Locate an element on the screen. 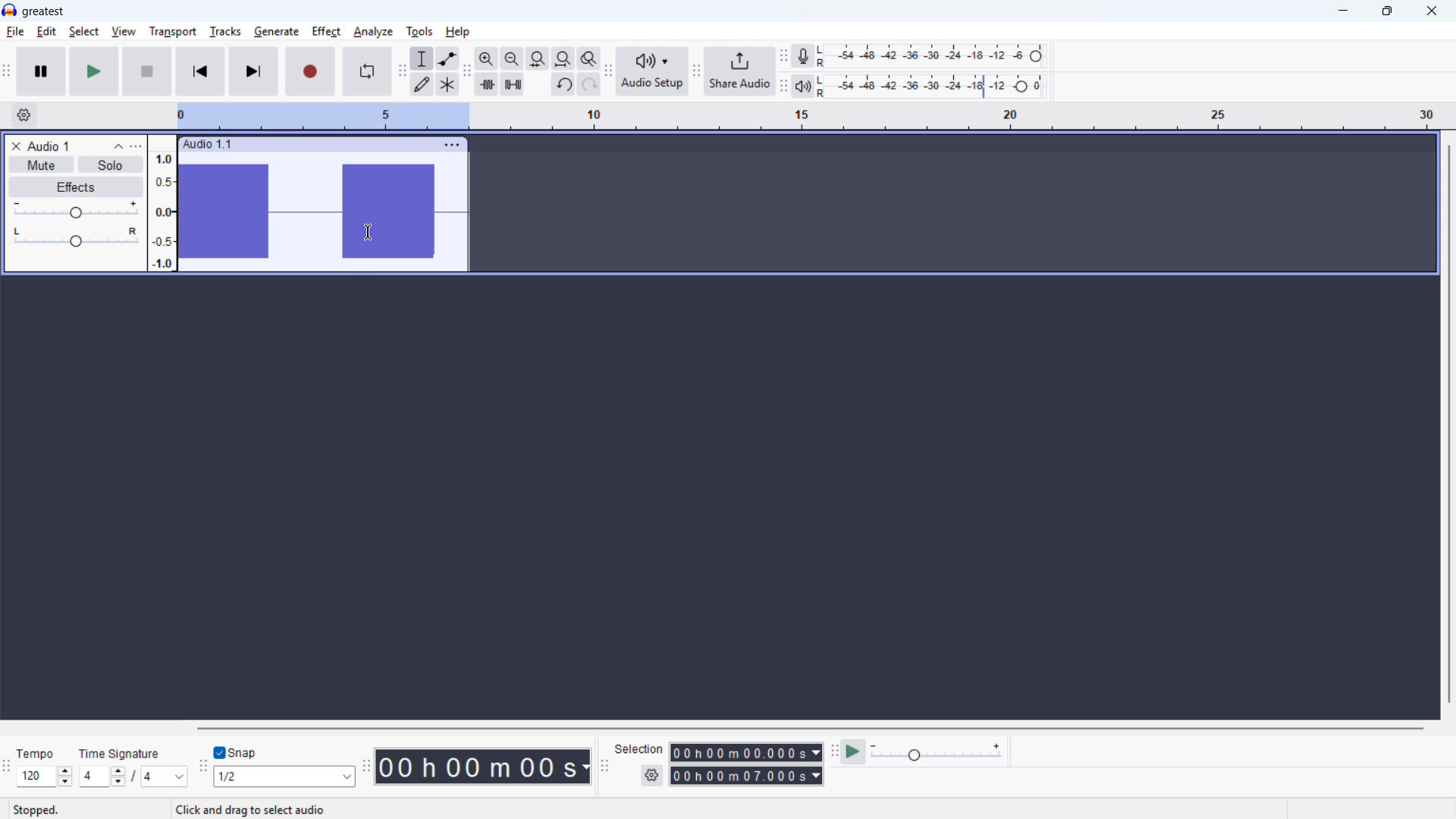 The image size is (1456, 819). Snapping toolbar  is located at coordinates (204, 769).